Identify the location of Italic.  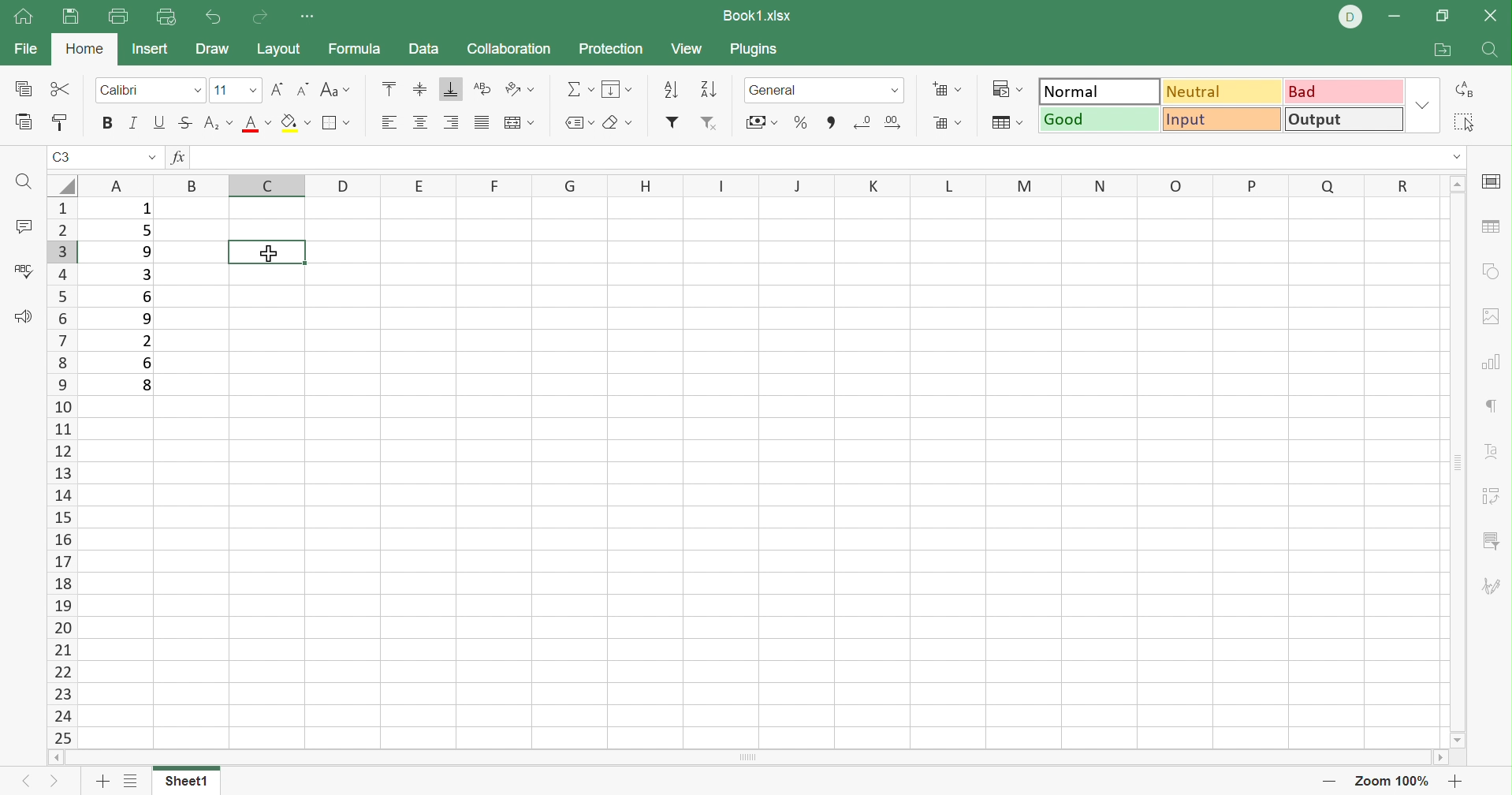
(136, 121).